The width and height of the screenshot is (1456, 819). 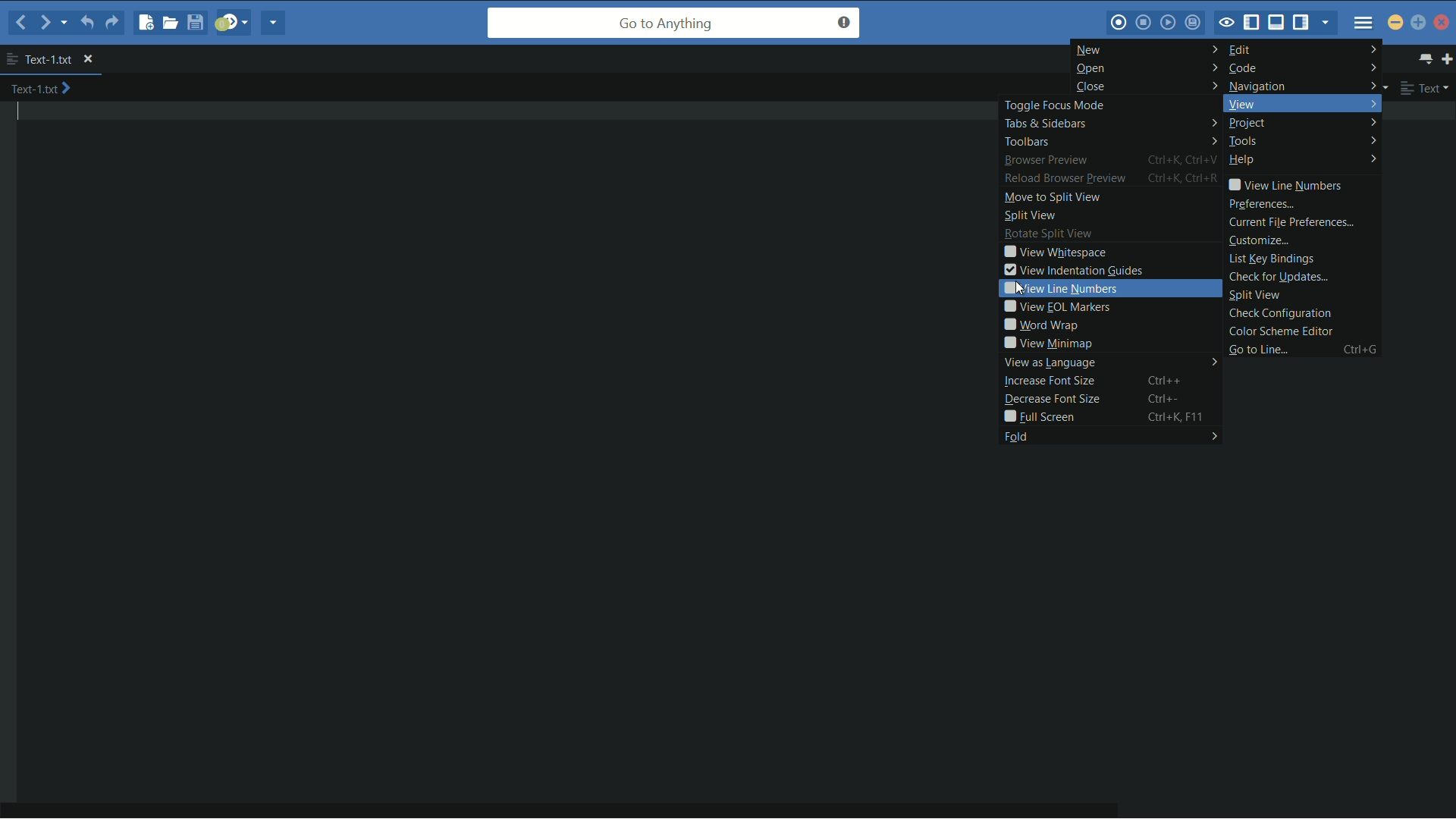 I want to click on view minimap, so click(x=1045, y=344).